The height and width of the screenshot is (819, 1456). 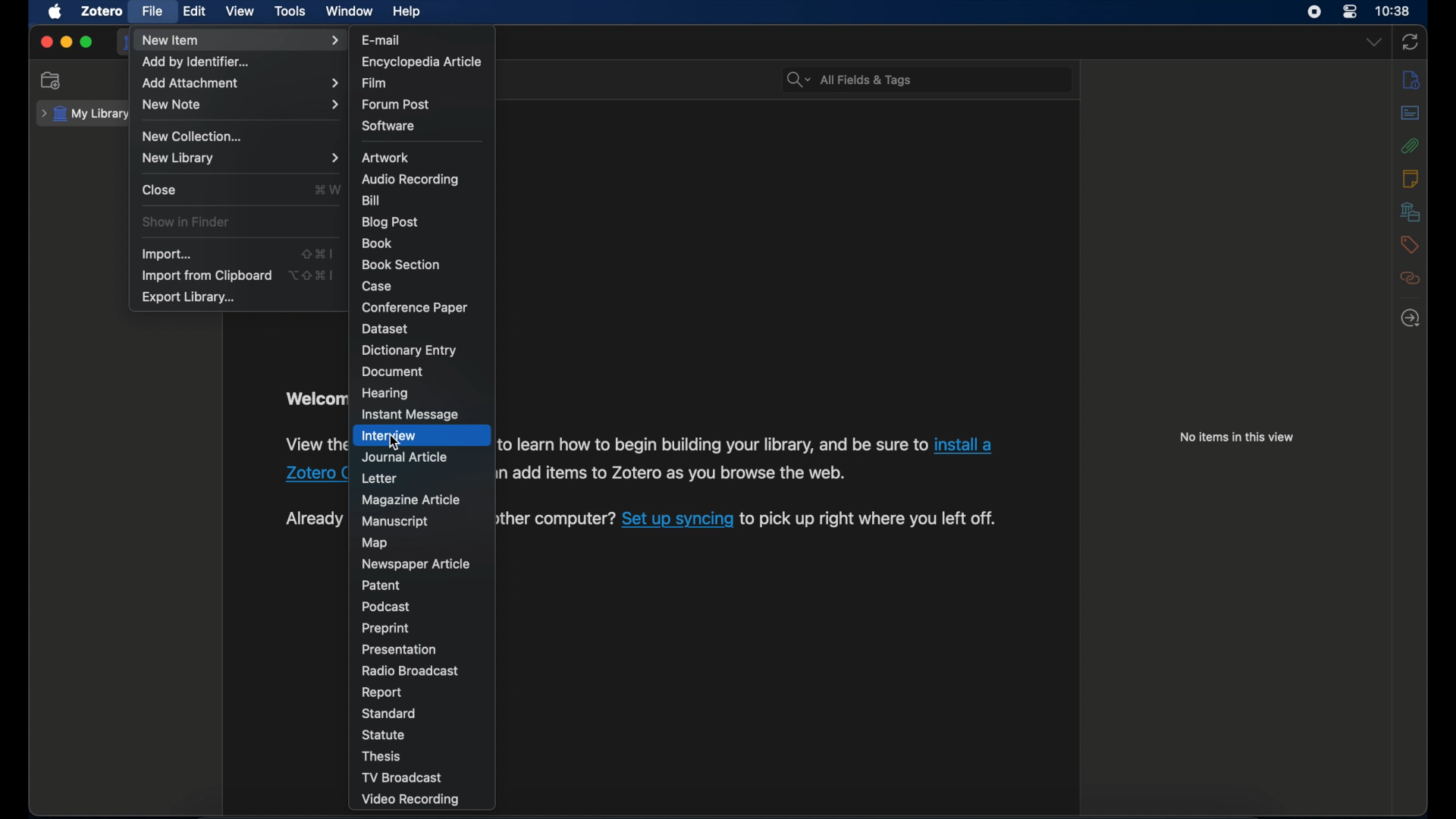 What do you see at coordinates (196, 62) in the screenshot?
I see `add by identifier` at bounding box center [196, 62].